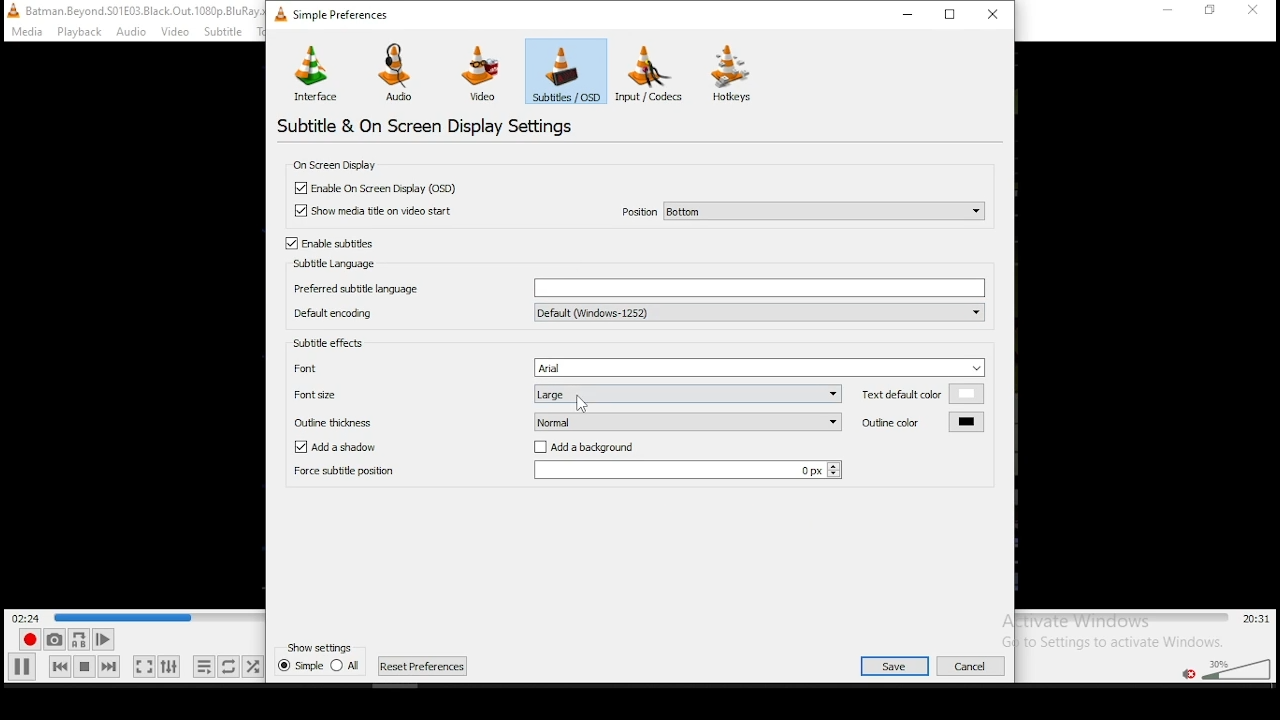 This screenshot has height=720, width=1280. What do you see at coordinates (336, 18) in the screenshot?
I see `simple preferences` at bounding box center [336, 18].